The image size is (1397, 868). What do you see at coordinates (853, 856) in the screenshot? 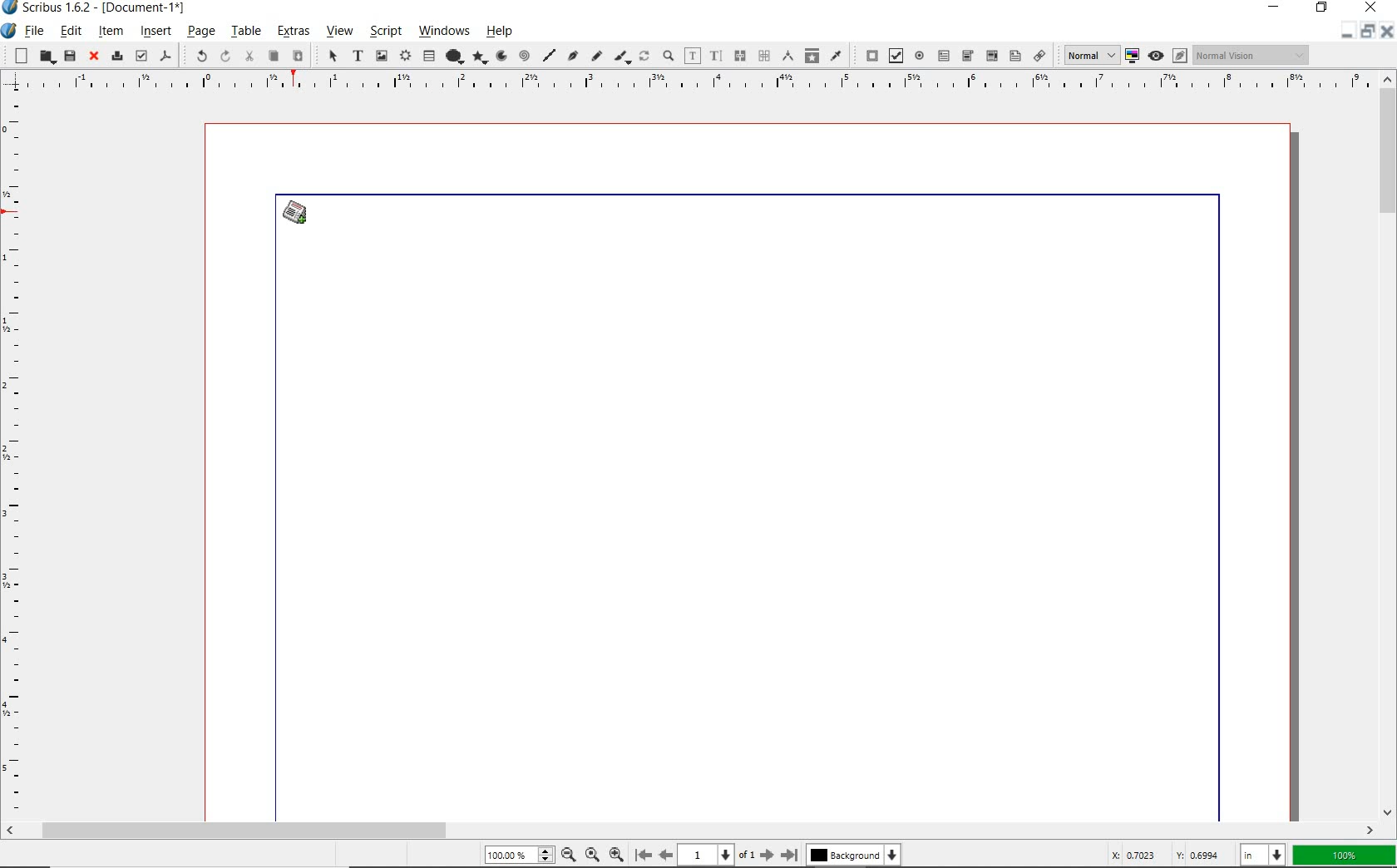
I see `Background` at bounding box center [853, 856].